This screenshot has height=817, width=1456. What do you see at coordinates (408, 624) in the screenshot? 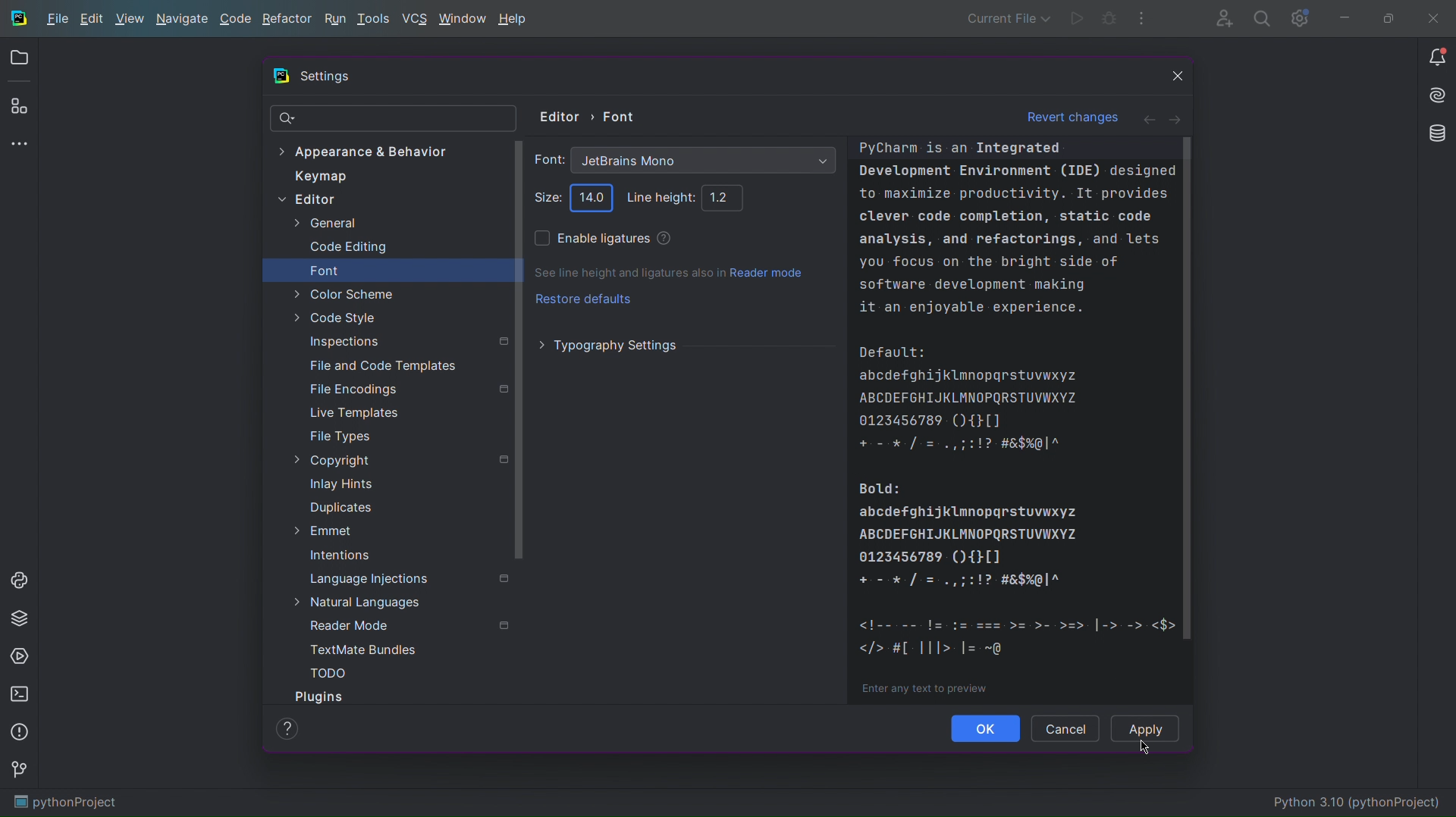
I see `Reader Mode` at bounding box center [408, 624].